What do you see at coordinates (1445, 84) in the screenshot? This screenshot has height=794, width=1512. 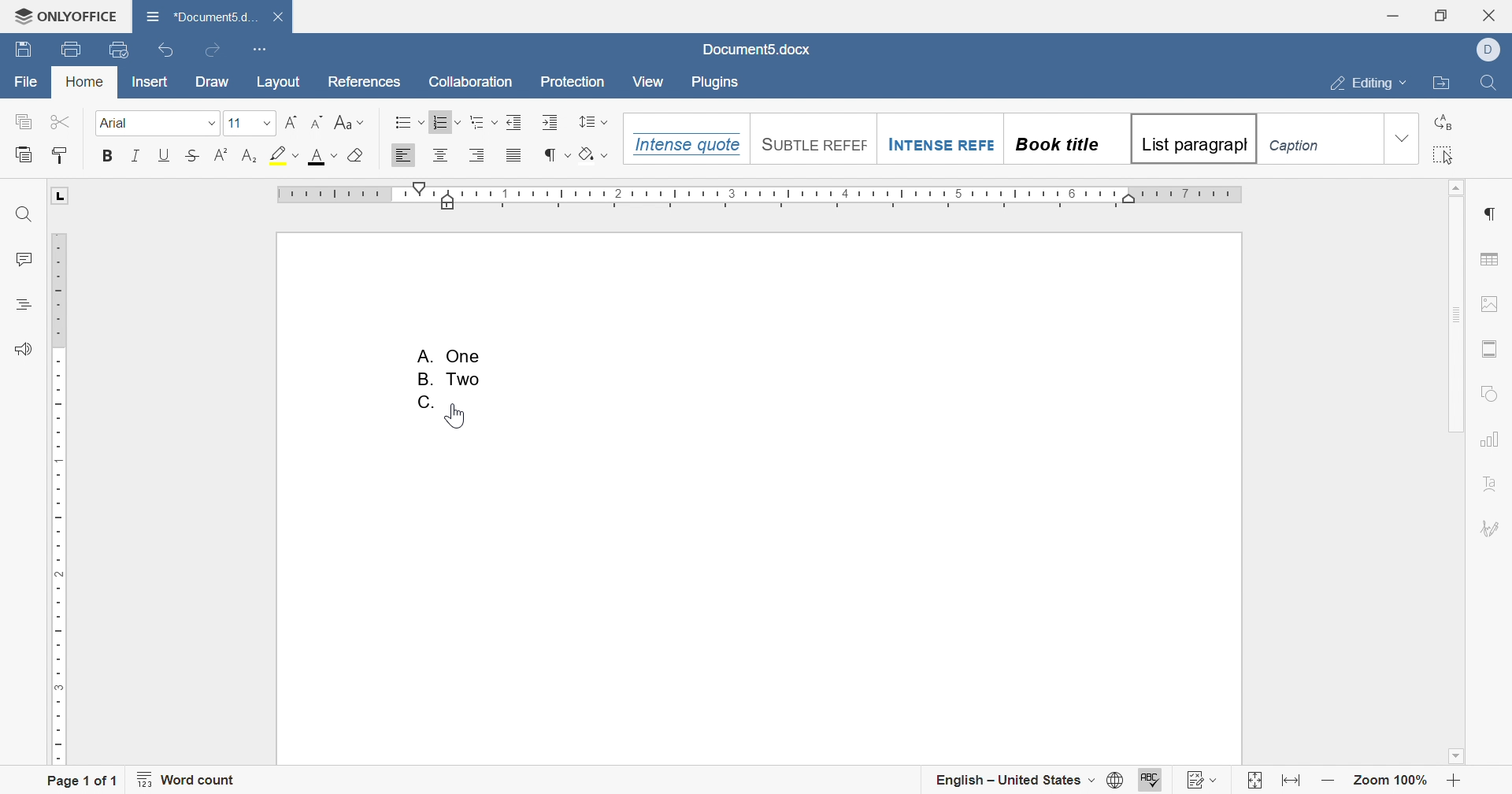 I see `open file location` at bounding box center [1445, 84].